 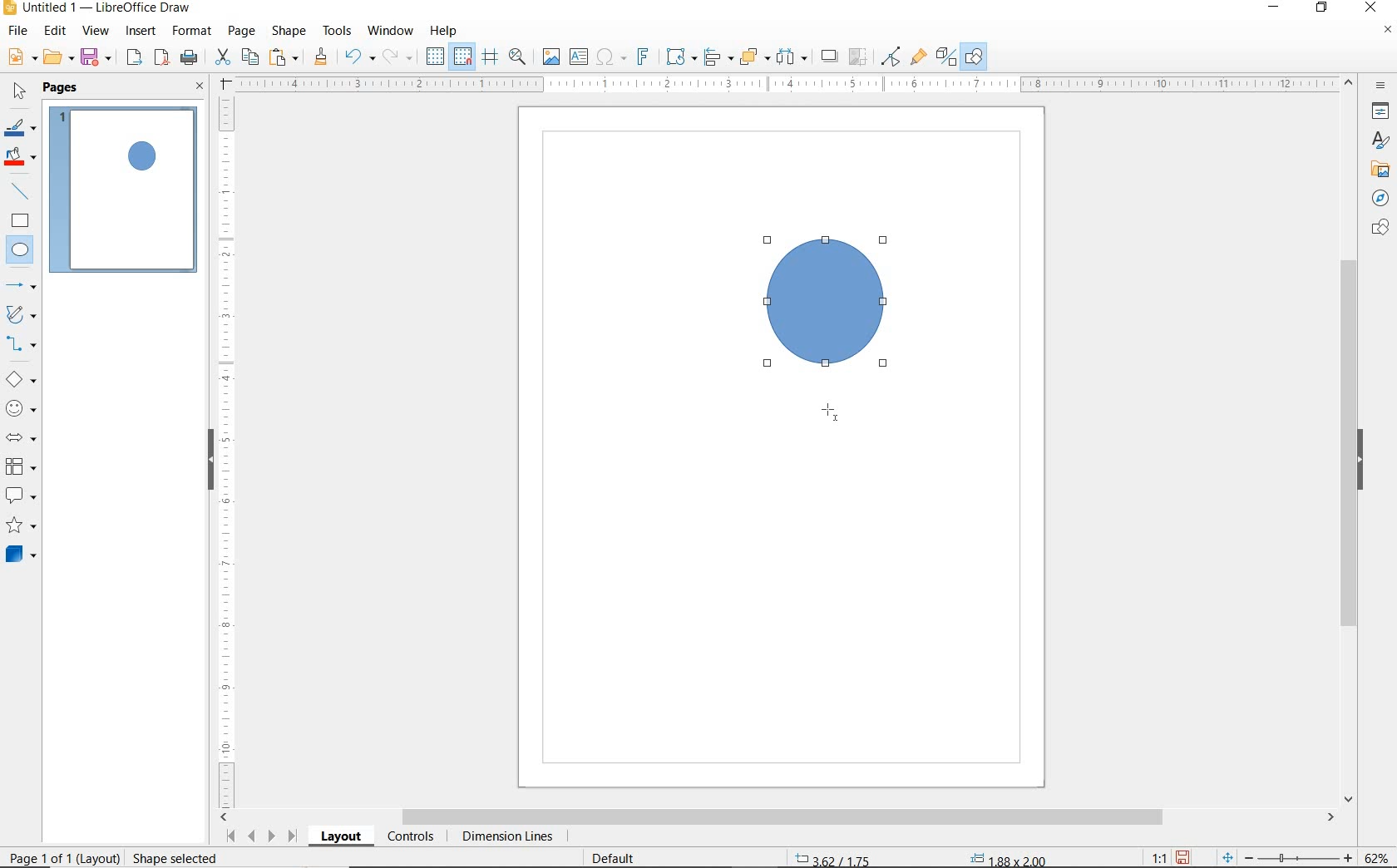 What do you see at coordinates (462, 57) in the screenshot?
I see `SNAP TO GRID` at bounding box center [462, 57].